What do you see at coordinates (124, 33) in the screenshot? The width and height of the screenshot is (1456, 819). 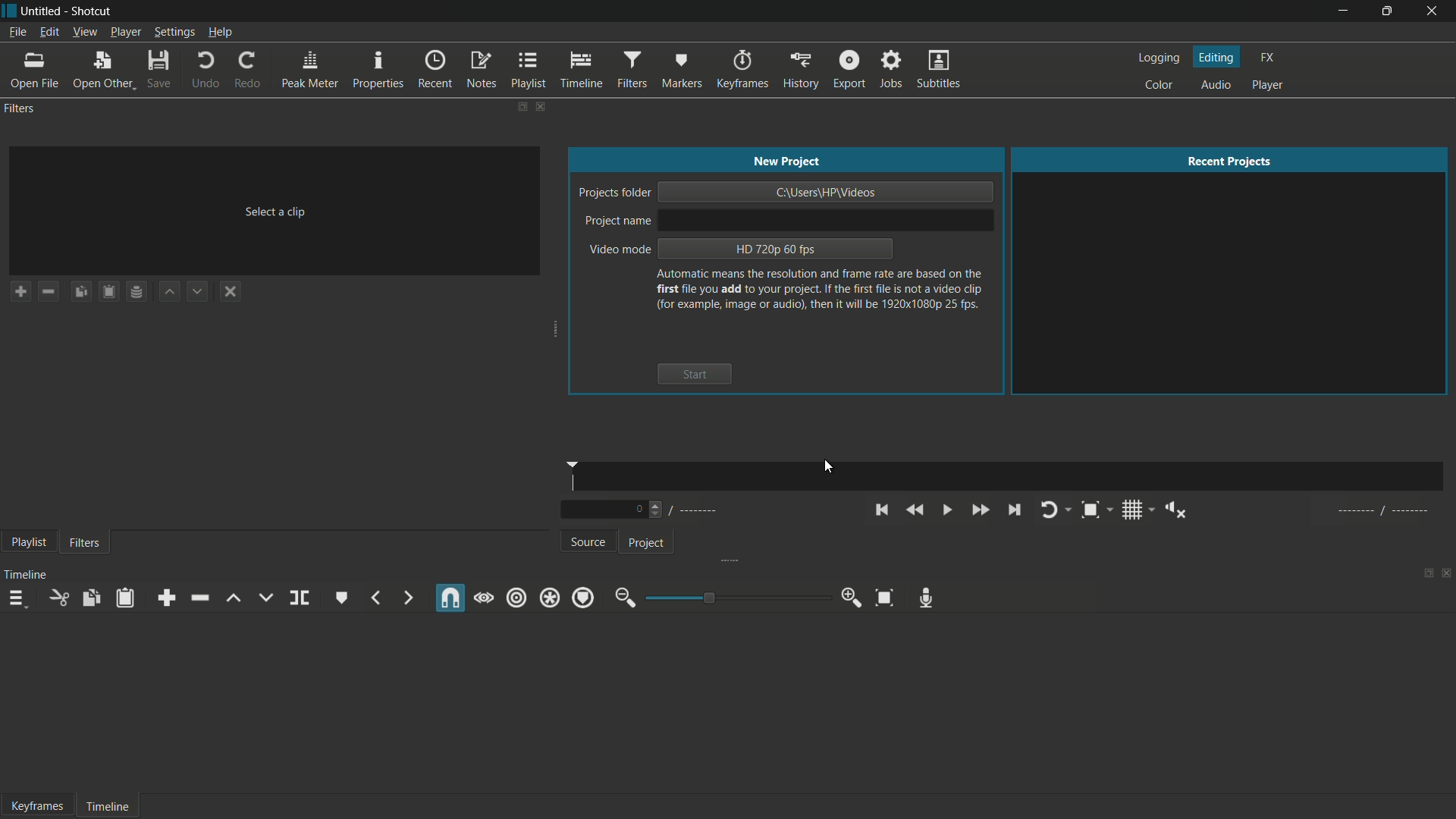 I see `player menu` at bounding box center [124, 33].